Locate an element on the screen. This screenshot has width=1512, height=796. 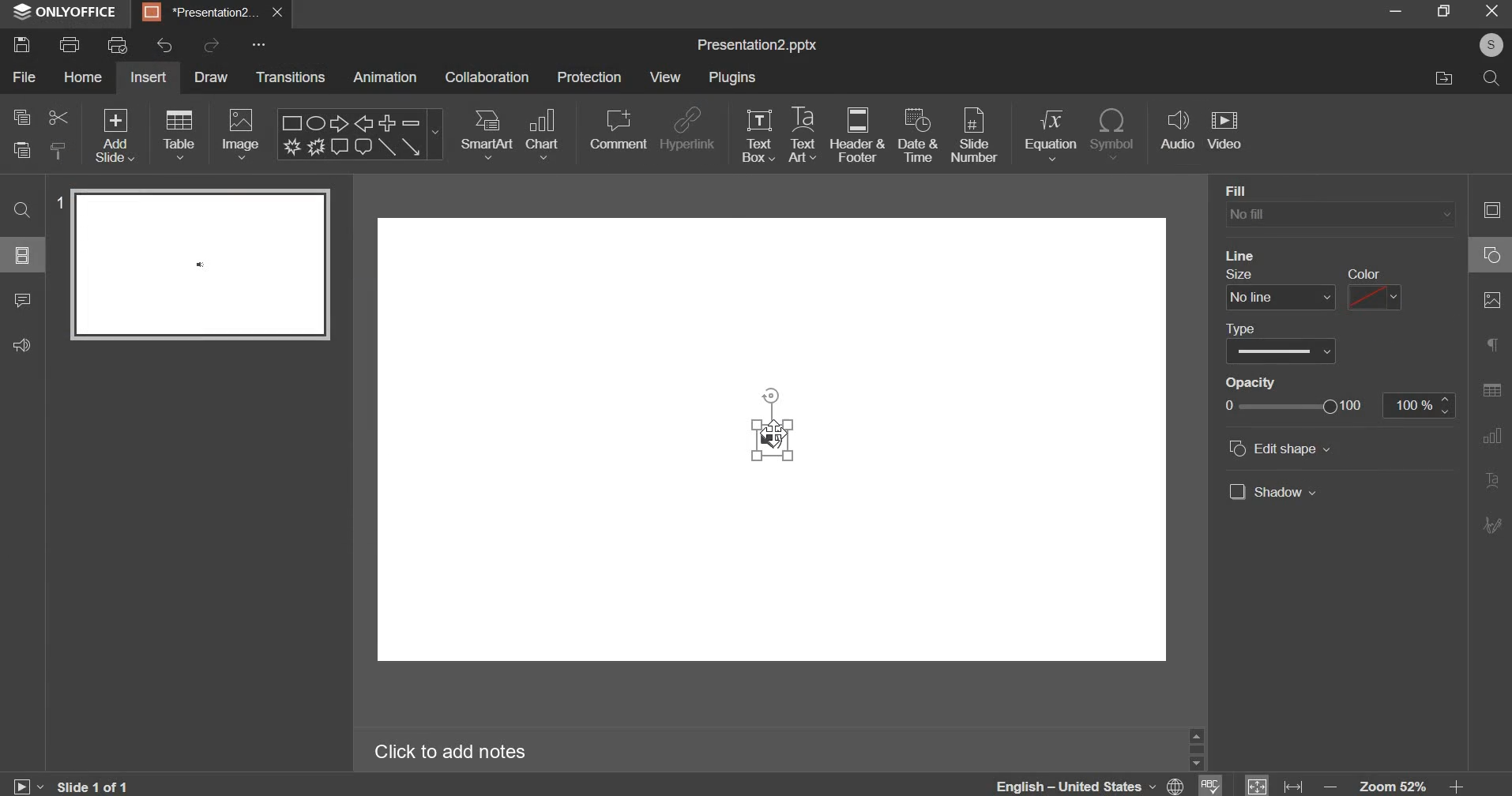
text art settings is located at coordinates (1490, 479).